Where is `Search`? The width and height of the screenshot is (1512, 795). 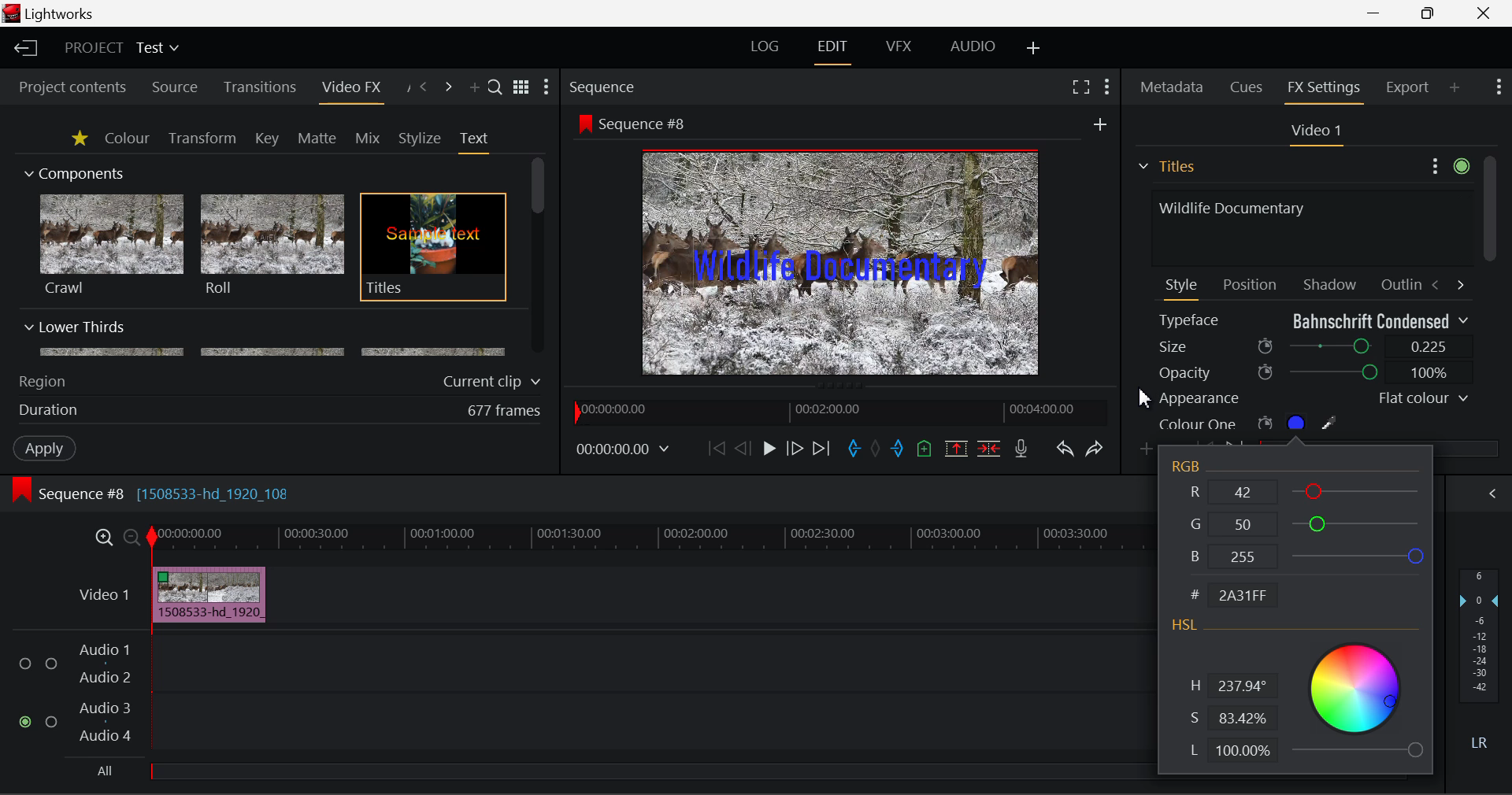 Search is located at coordinates (496, 86).